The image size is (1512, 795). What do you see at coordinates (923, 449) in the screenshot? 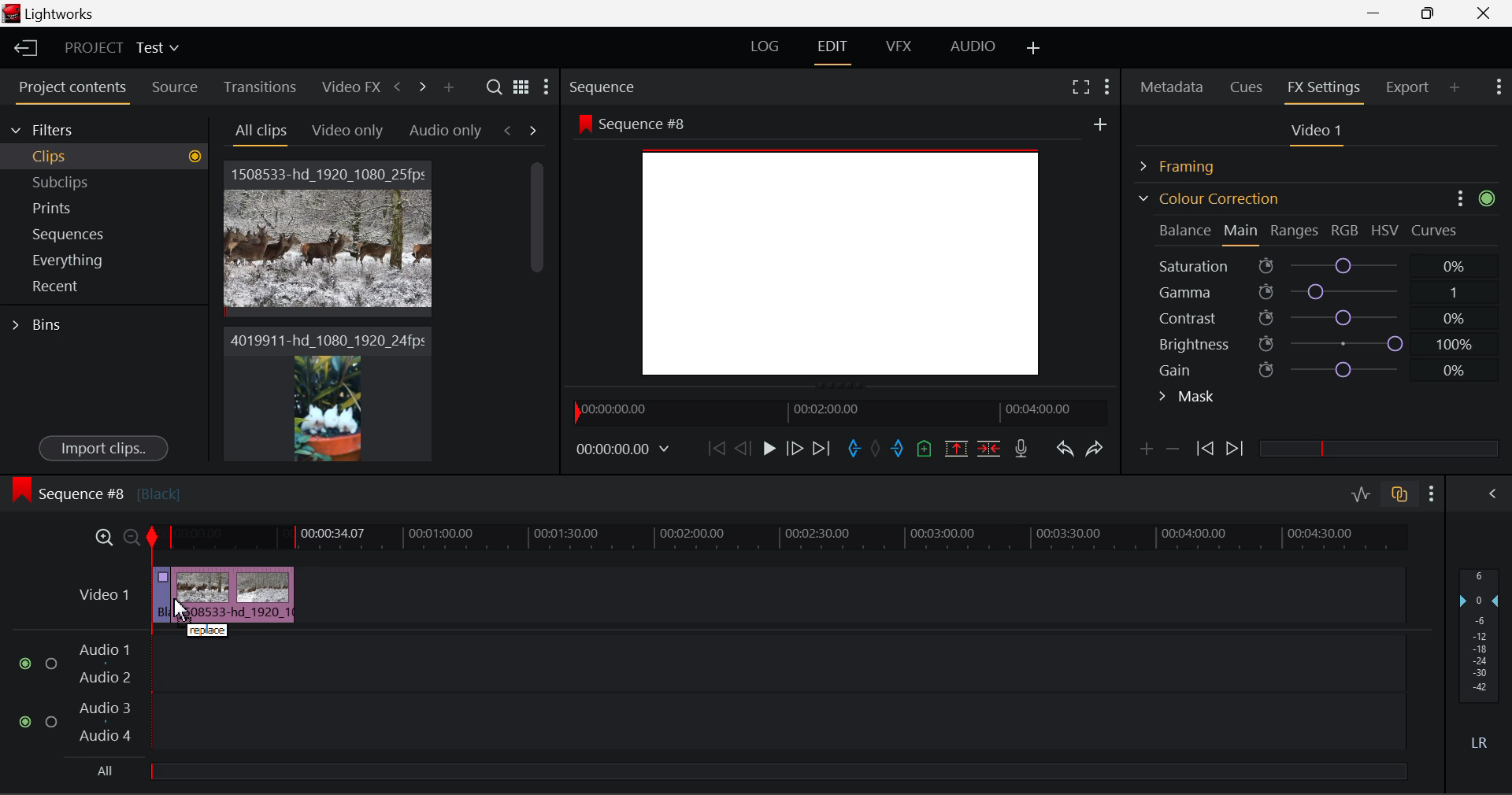
I see `Mark Cue` at bounding box center [923, 449].